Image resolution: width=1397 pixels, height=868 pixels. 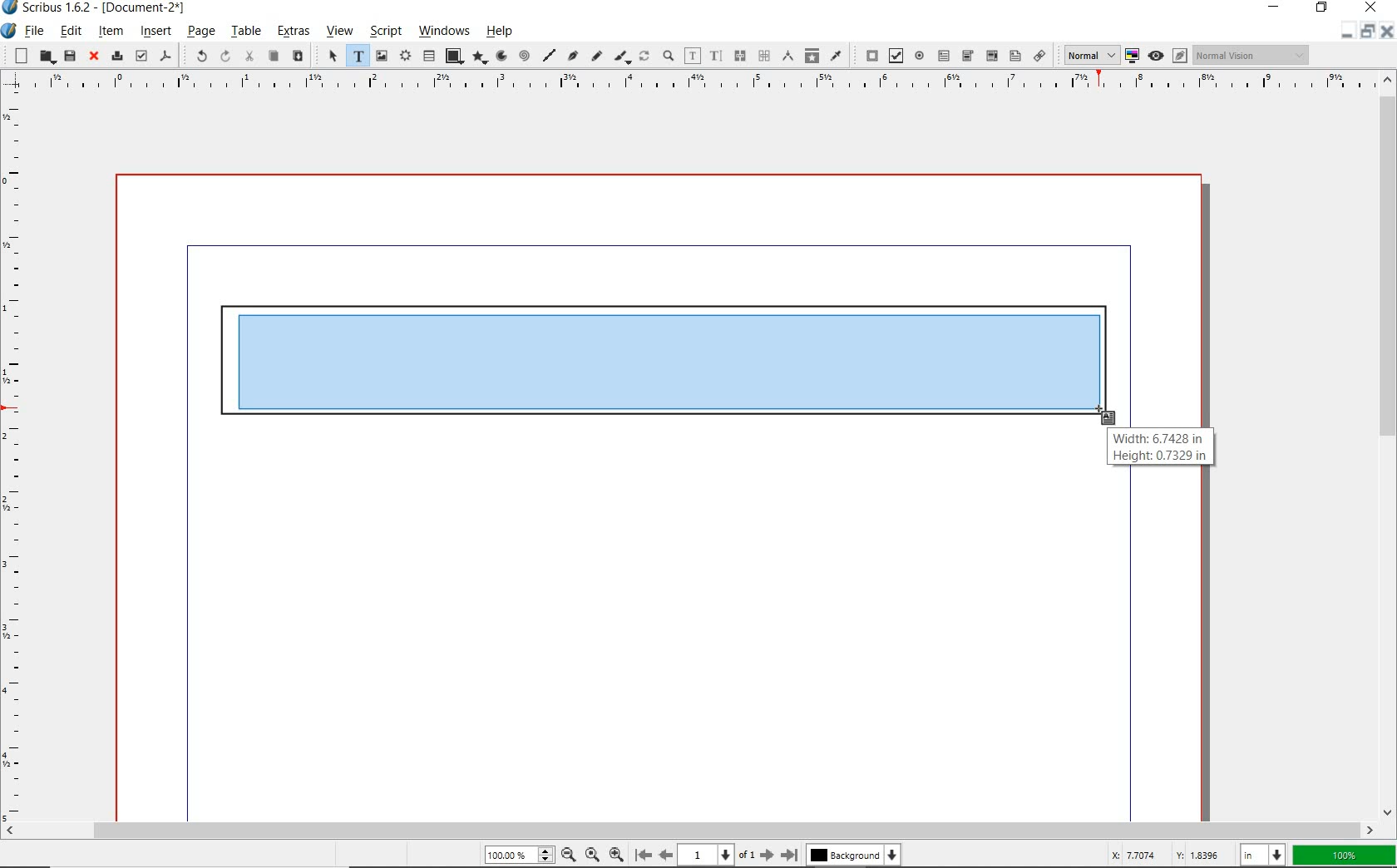 What do you see at coordinates (663, 369) in the screenshot?
I see `drawing text frame` at bounding box center [663, 369].